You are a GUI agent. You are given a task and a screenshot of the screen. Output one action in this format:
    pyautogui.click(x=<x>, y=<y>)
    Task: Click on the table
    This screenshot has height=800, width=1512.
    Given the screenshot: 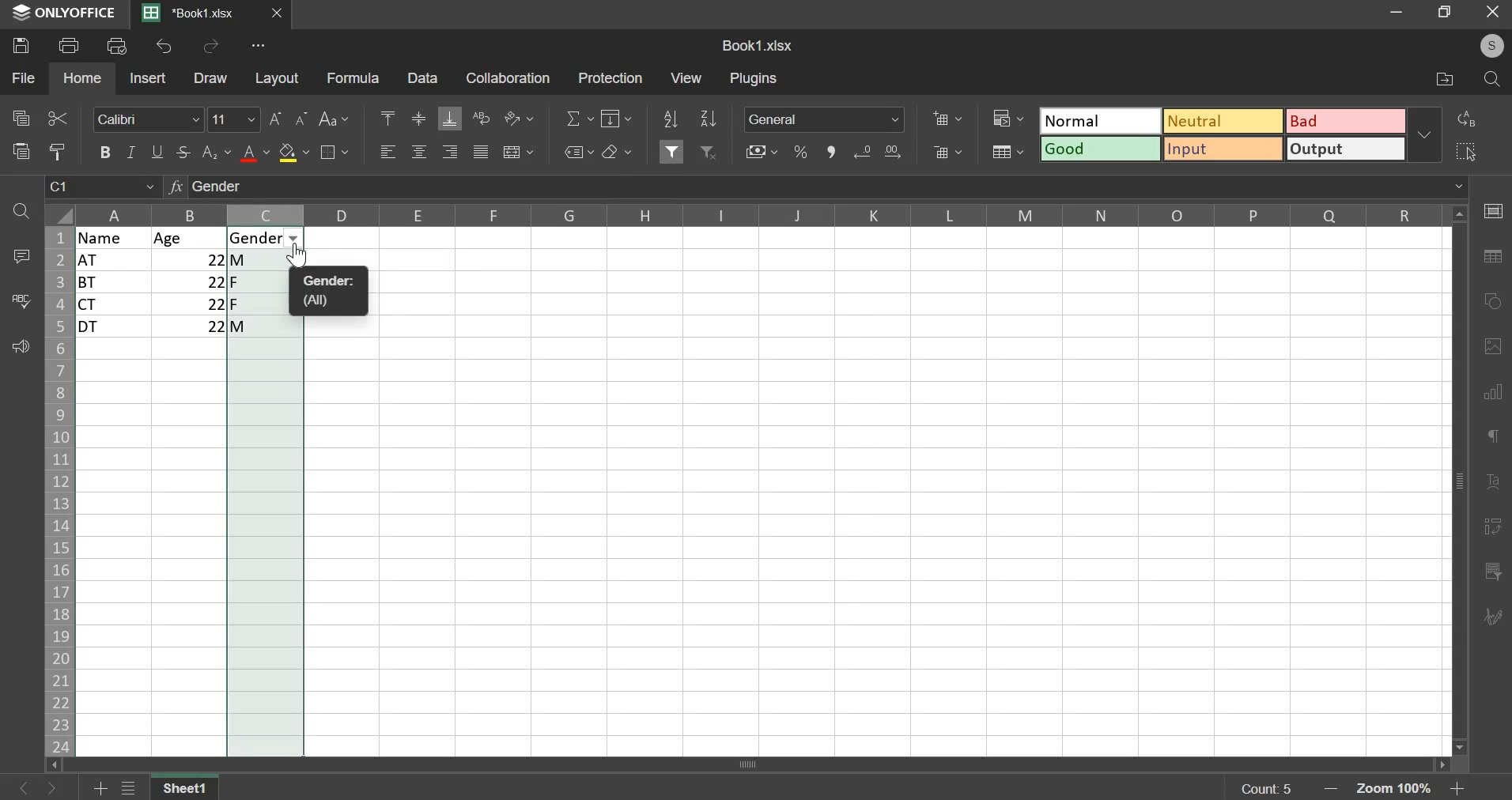 What is the action you would take?
    pyautogui.click(x=1491, y=258)
    